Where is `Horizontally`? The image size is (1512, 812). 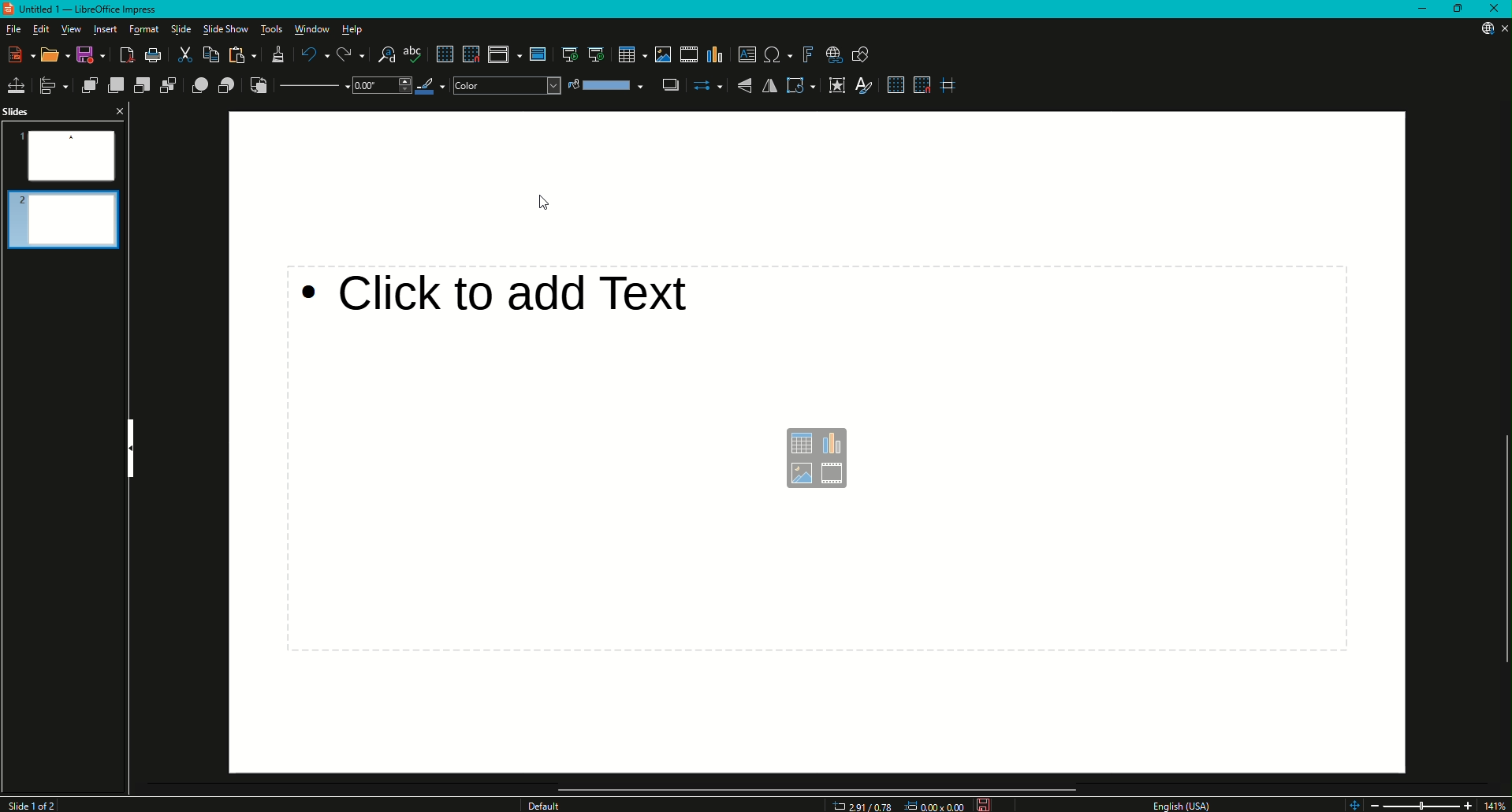
Horizontally is located at coordinates (773, 85).